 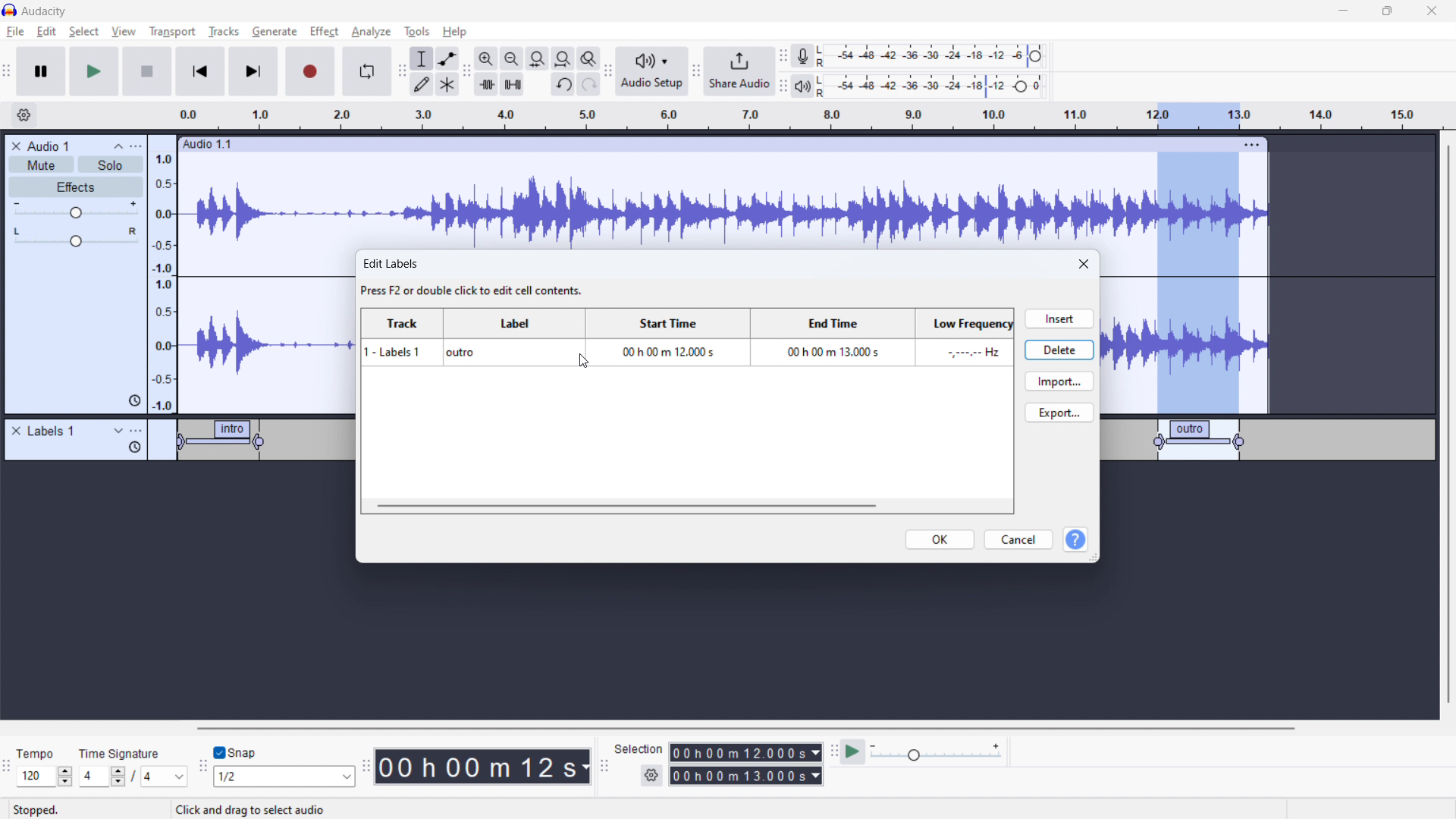 I want to click on audio setup toolbar, so click(x=607, y=71).